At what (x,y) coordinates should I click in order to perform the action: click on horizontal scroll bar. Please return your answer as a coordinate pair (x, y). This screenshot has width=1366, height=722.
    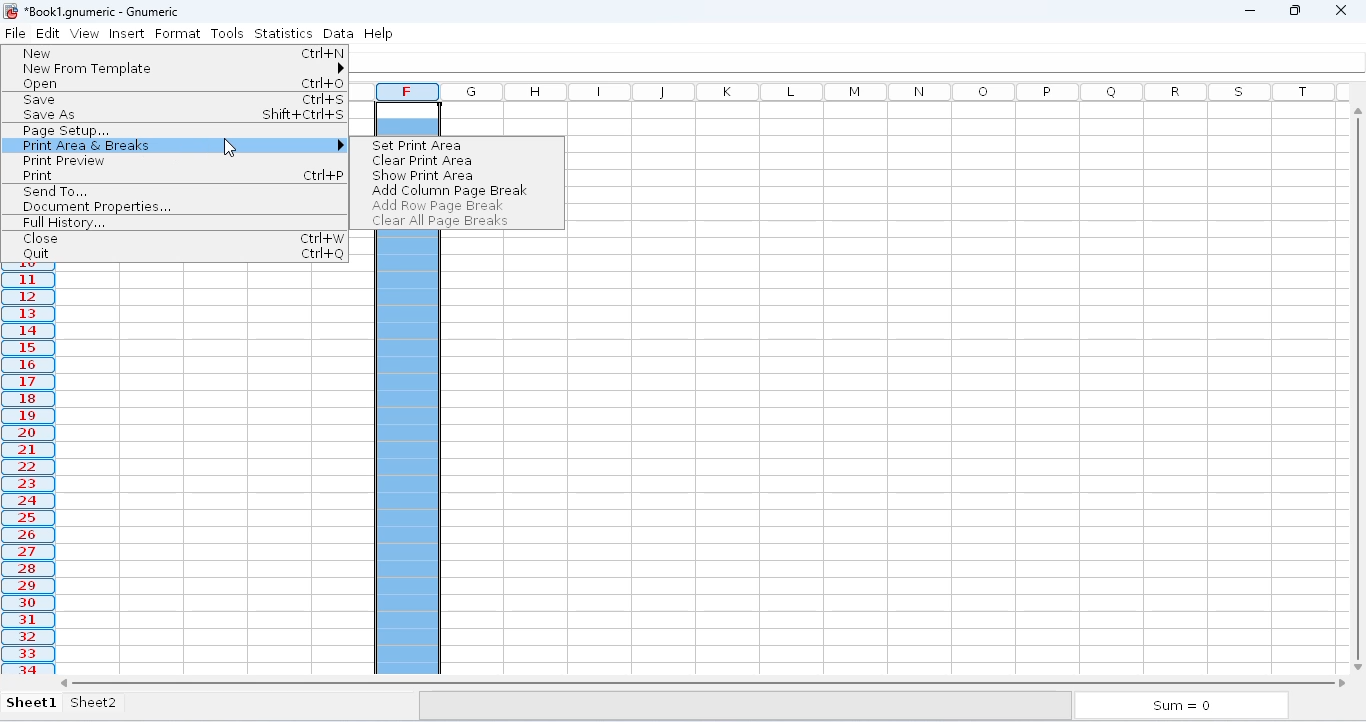
    Looking at the image, I should click on (702, 682).